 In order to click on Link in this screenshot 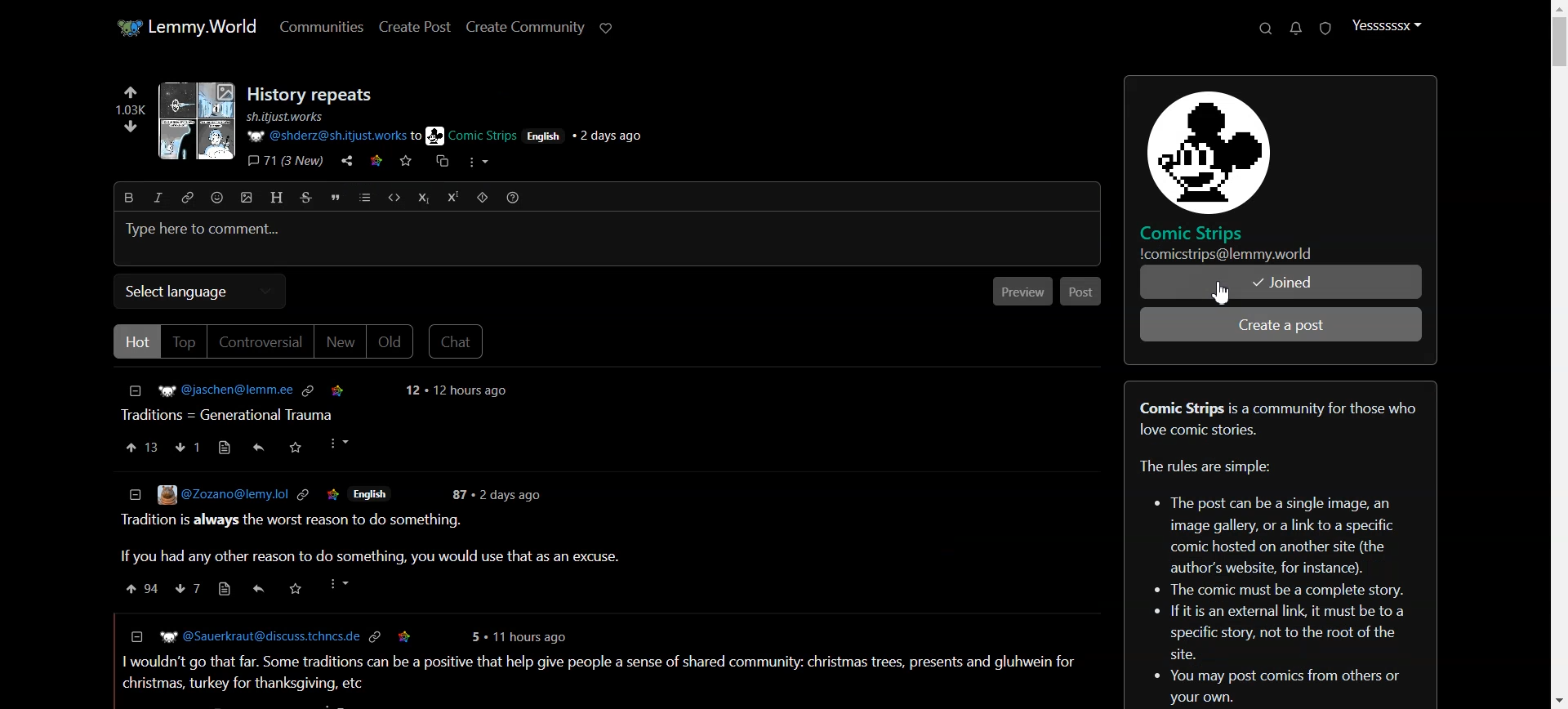, I will do `click(301, 493)`.